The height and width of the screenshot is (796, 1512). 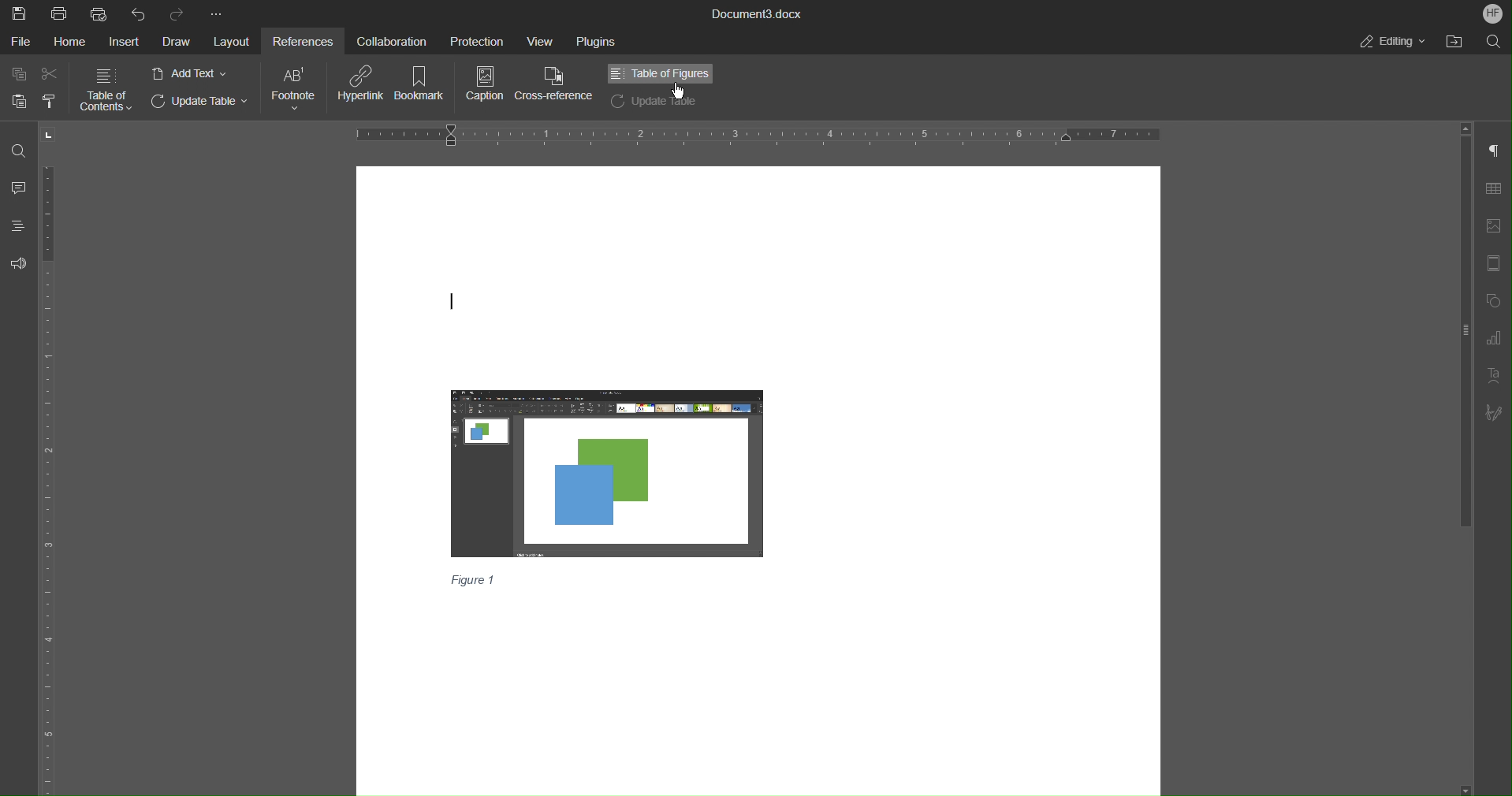 I want to click on Shapes Settings, so click(x=1494, y=303).